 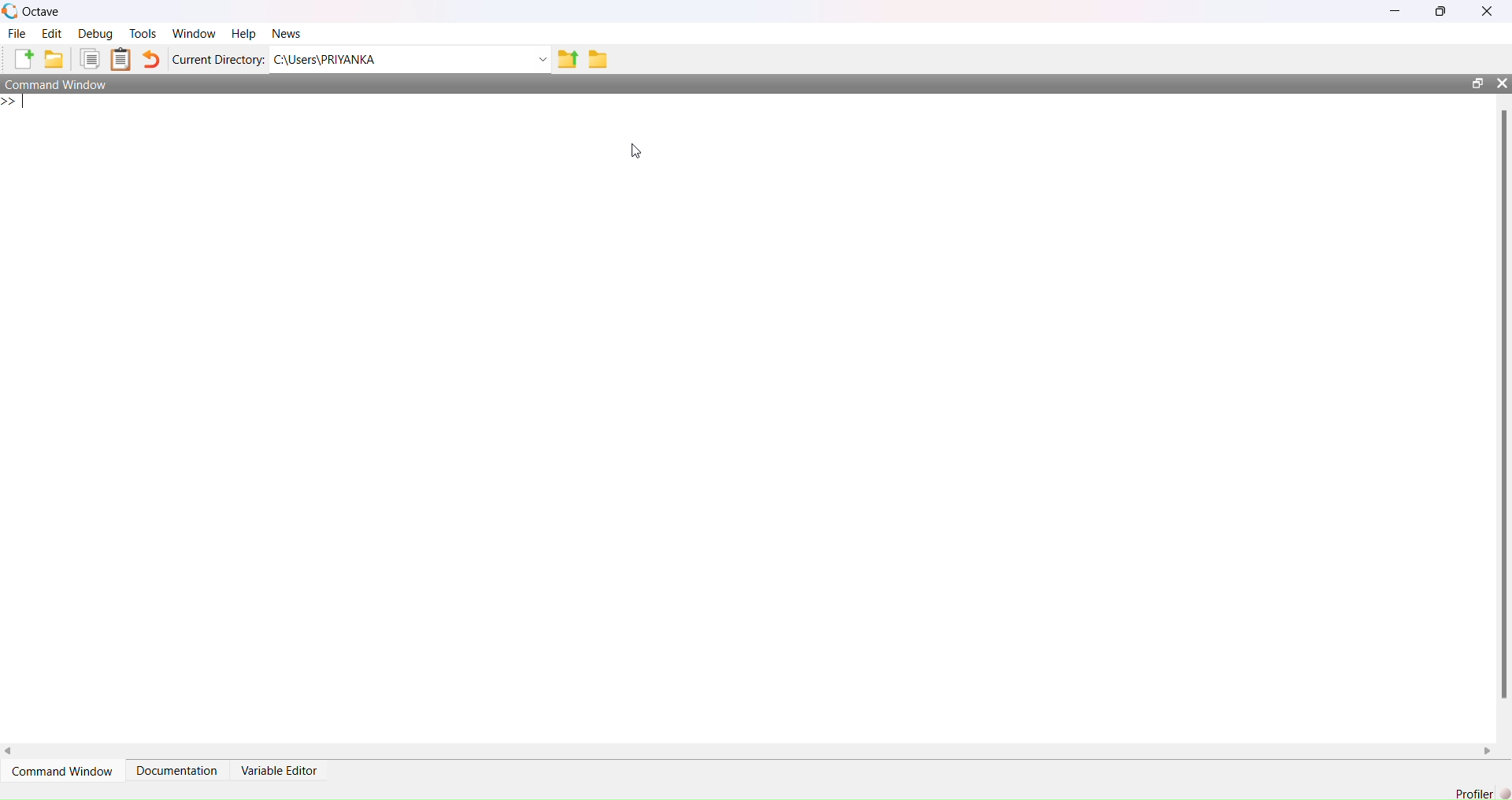 What do you see at coordinates (61, 771) in the screenshot?
I see `Command Window` at bounding box center [61, 771].